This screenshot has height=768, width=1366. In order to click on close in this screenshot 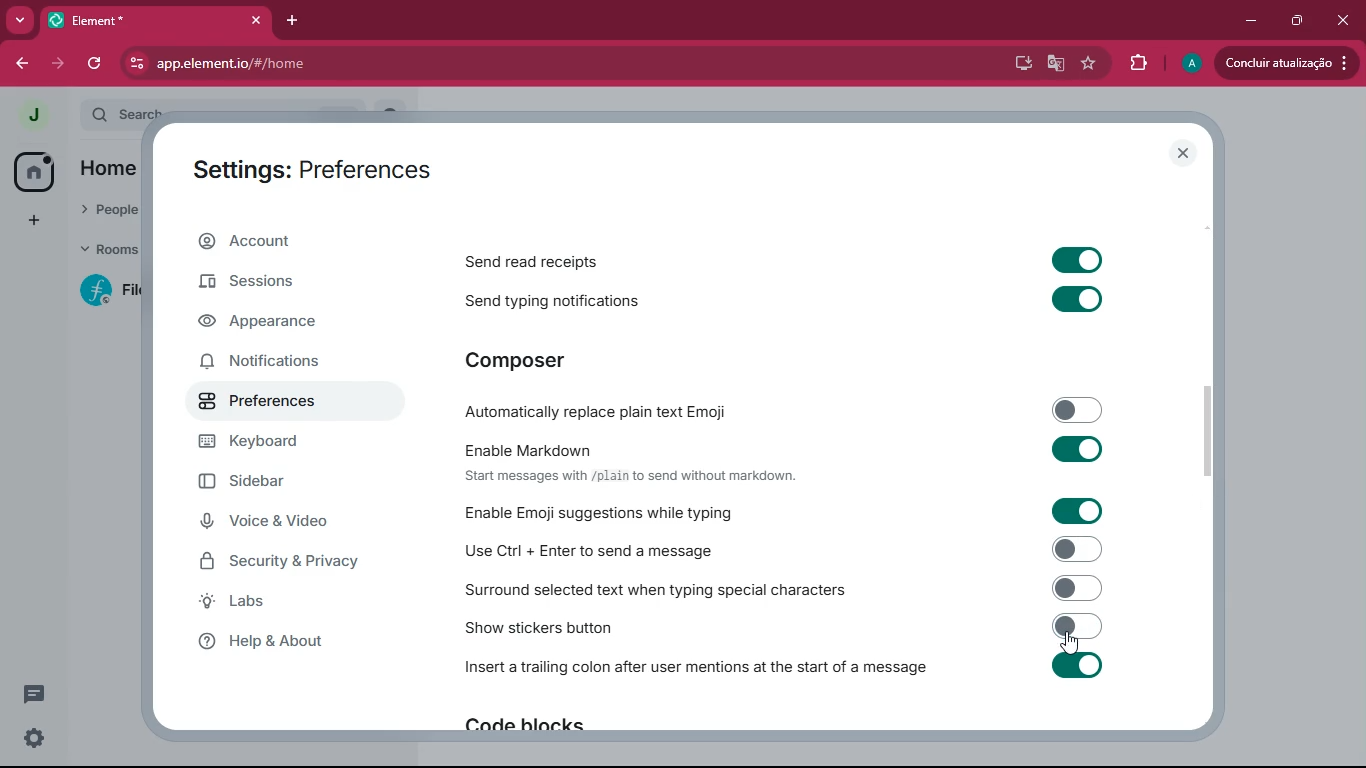, I will do `click(1345, 20)`.